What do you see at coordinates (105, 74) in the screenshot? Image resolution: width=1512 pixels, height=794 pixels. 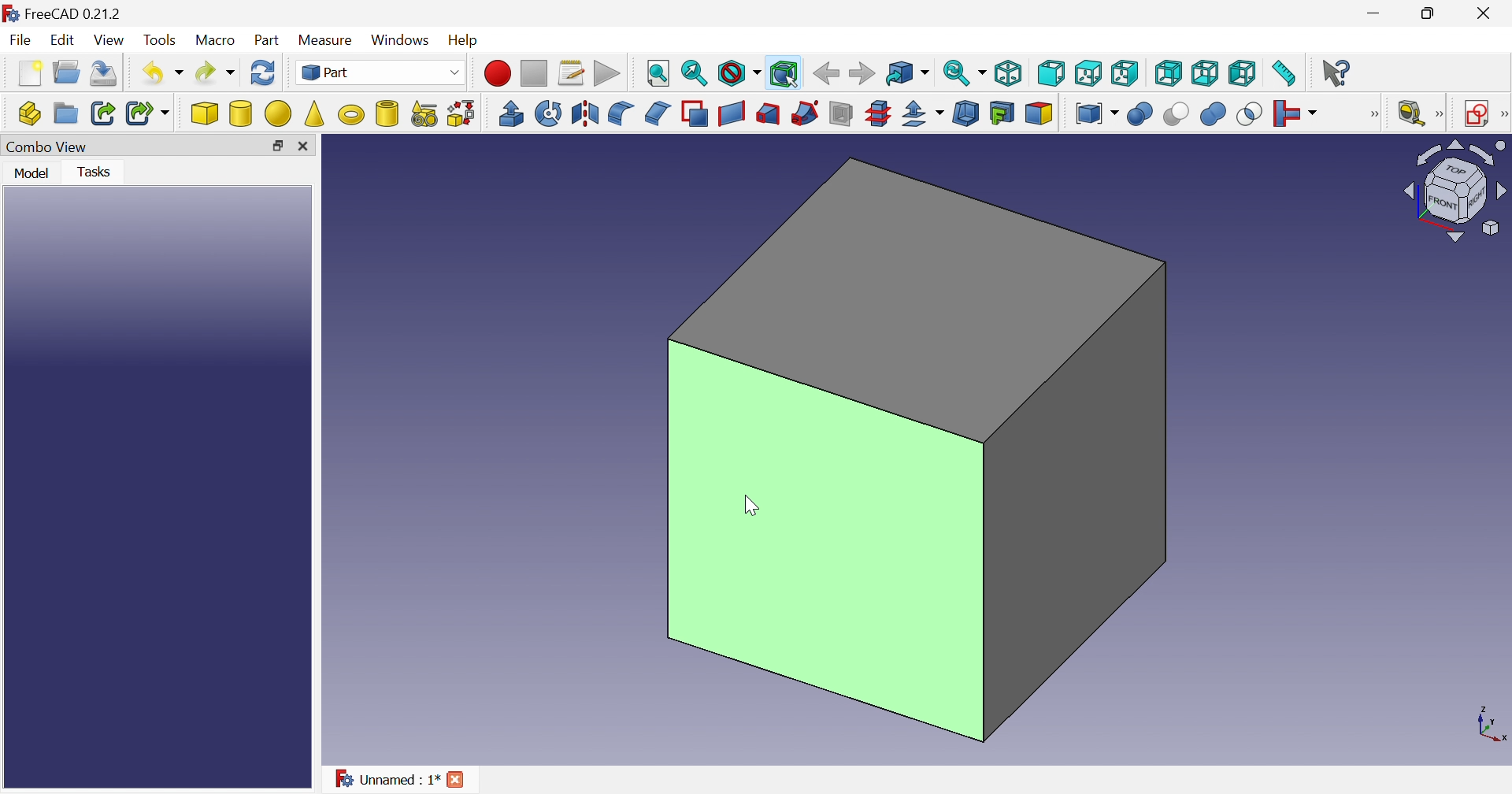 I see `Save` at bounding box center [105, 74].